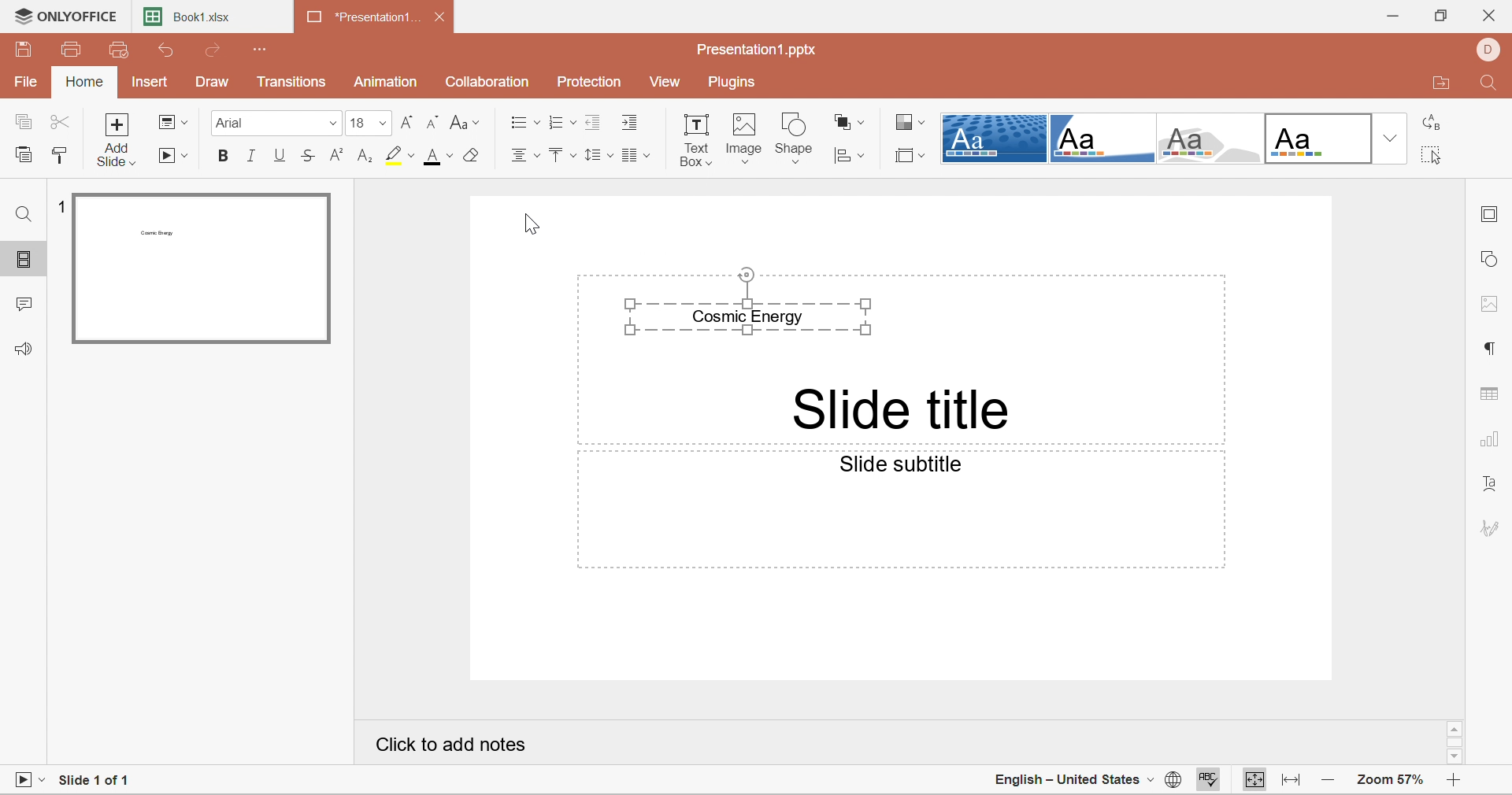  What do you see at coordinates (400, 155) in the screenshot?
I see `Highlight color` at bounding box center [400, 155].